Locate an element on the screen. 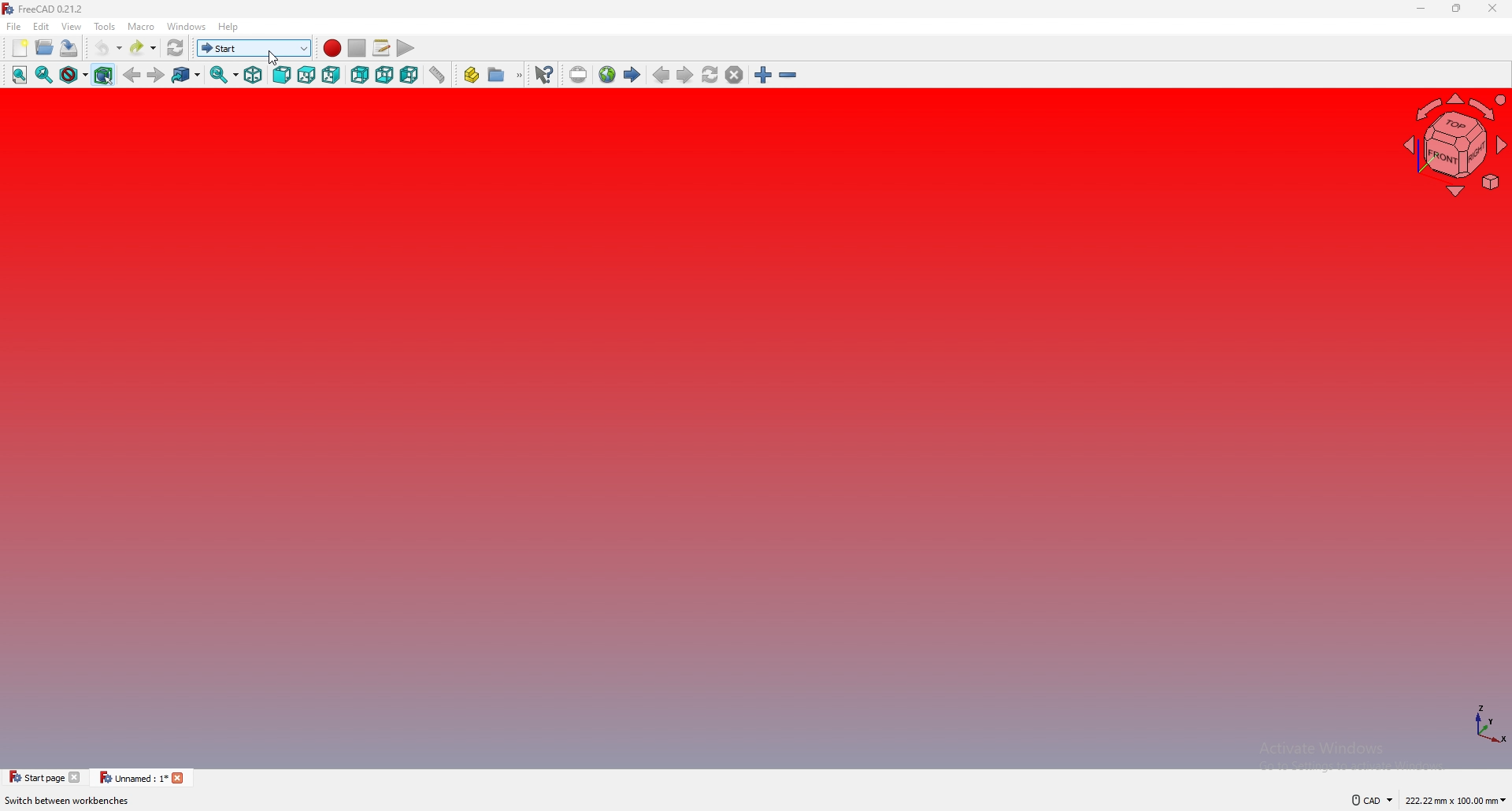 The height and width of the screenshot is (811, 1512). what's this is located at coordinates (543, 75).